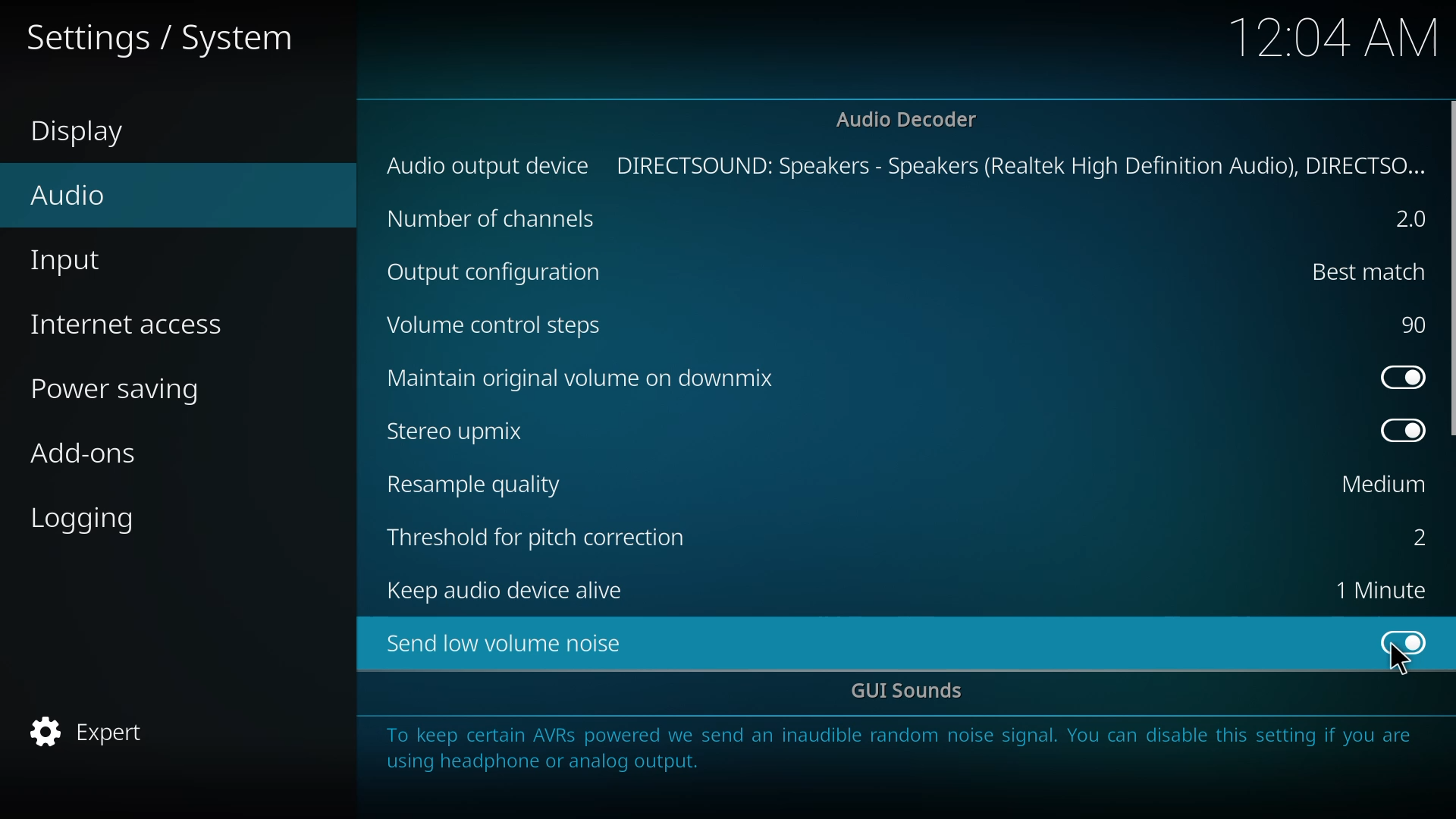  Describe the element at coordinates (505, 643) in the screenshot. I see `send low volume noise` at that location.